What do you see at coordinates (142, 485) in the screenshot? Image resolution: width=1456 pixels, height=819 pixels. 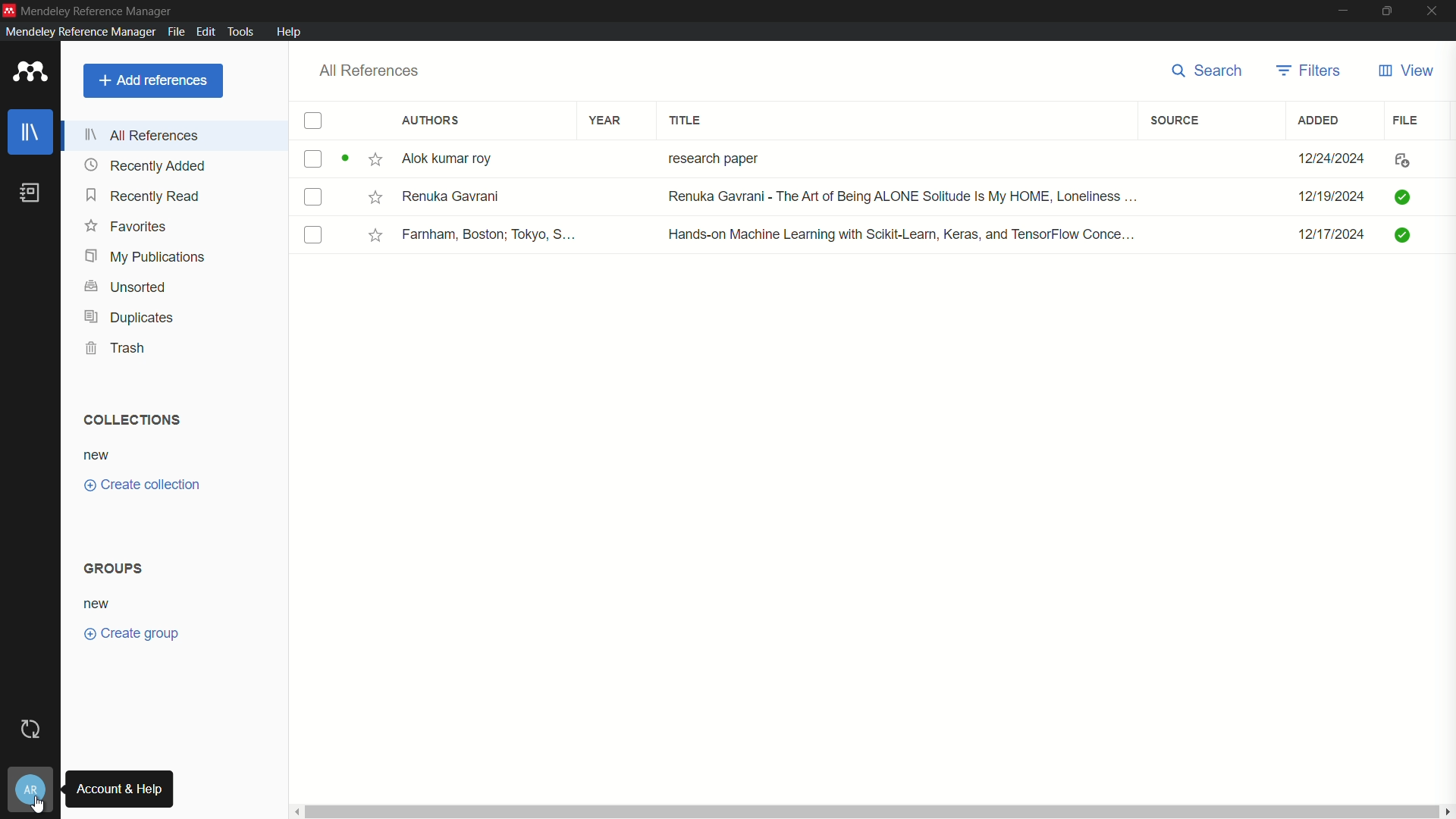 I see `create collection` at bounding box center [142, 485].